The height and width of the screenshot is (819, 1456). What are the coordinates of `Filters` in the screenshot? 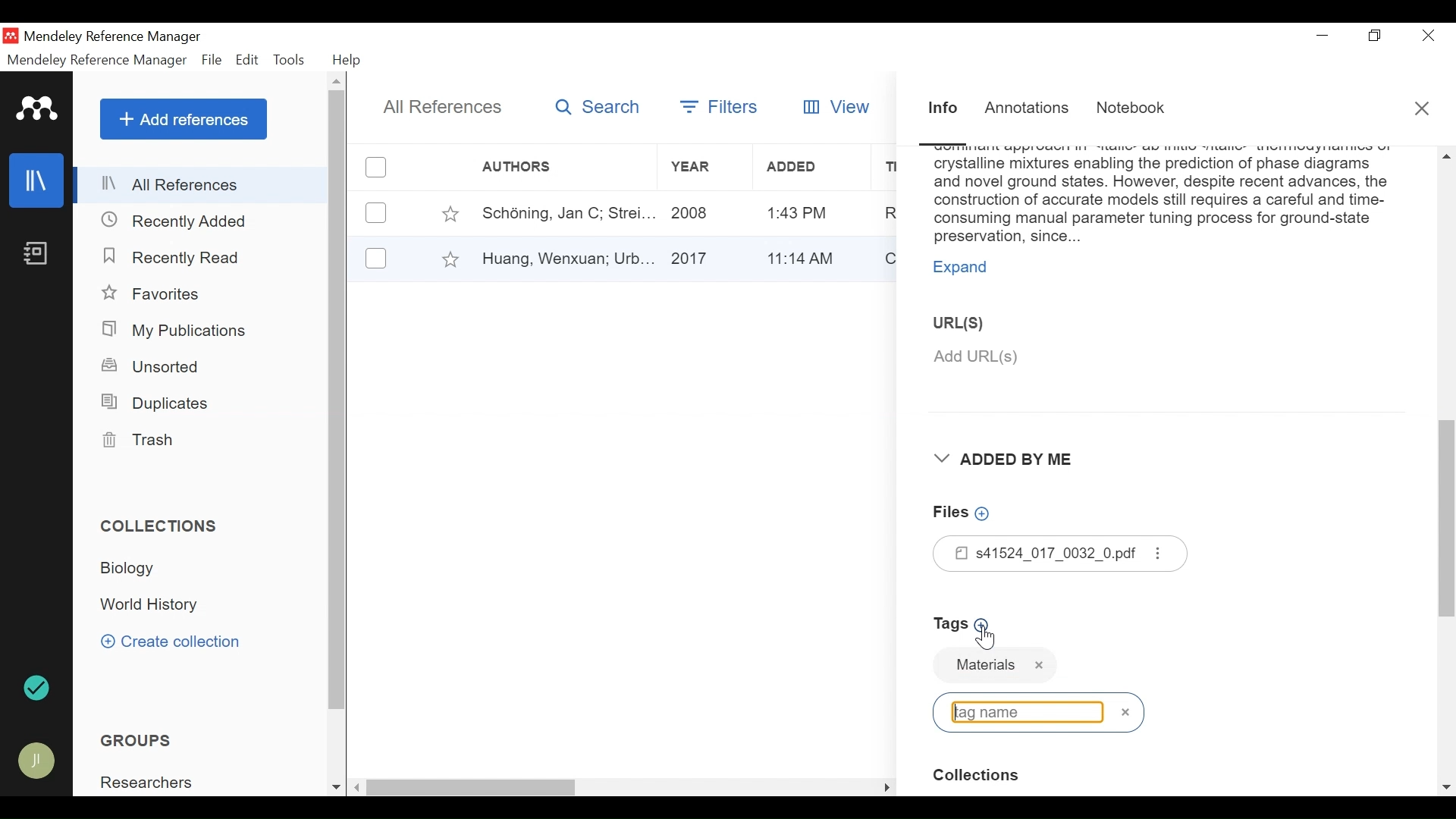 It's located at (717, 106).